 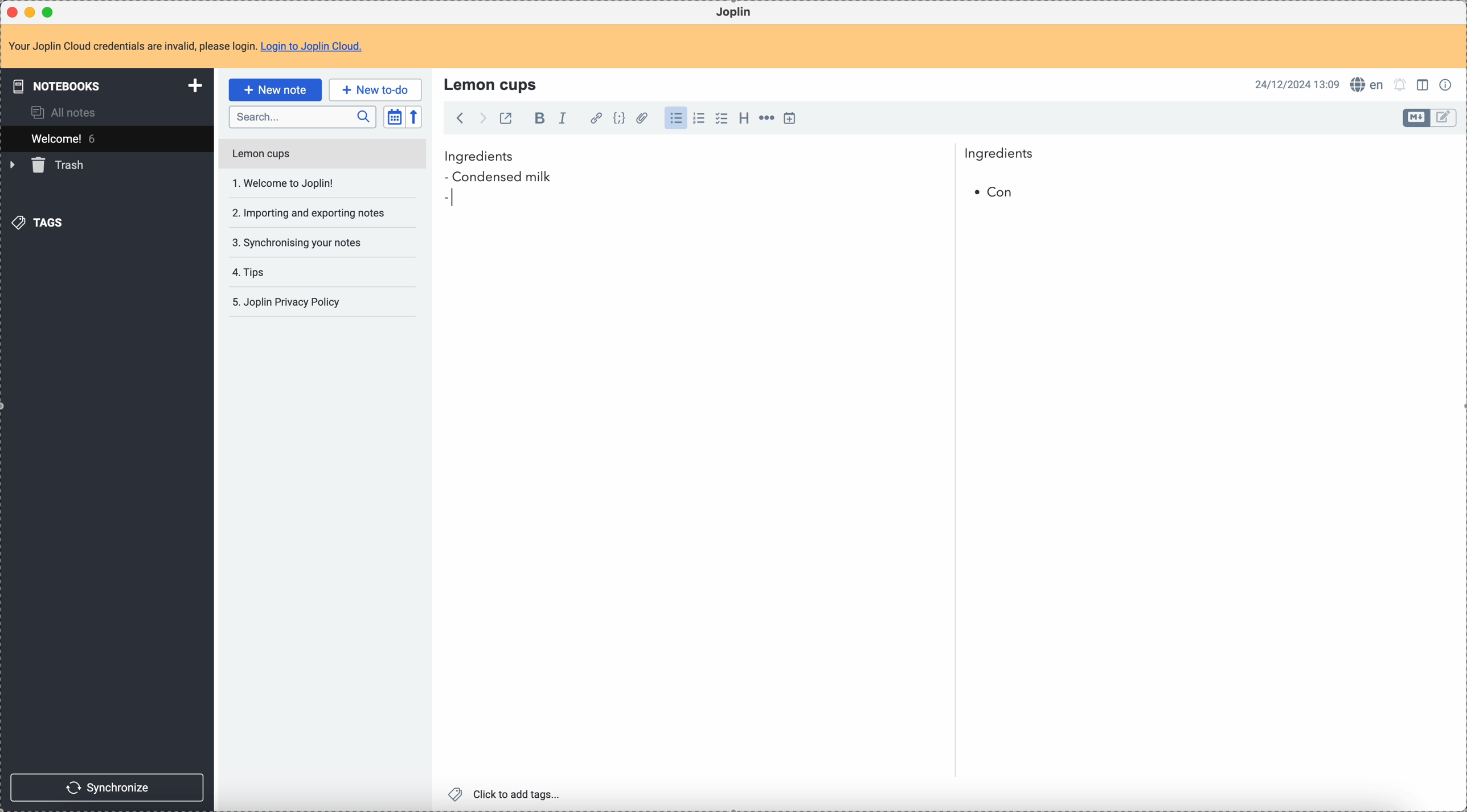 What do you see at coordinates (1448, 84) in the screenshot?
I see `note properties` at bounding box center [1448, 84].